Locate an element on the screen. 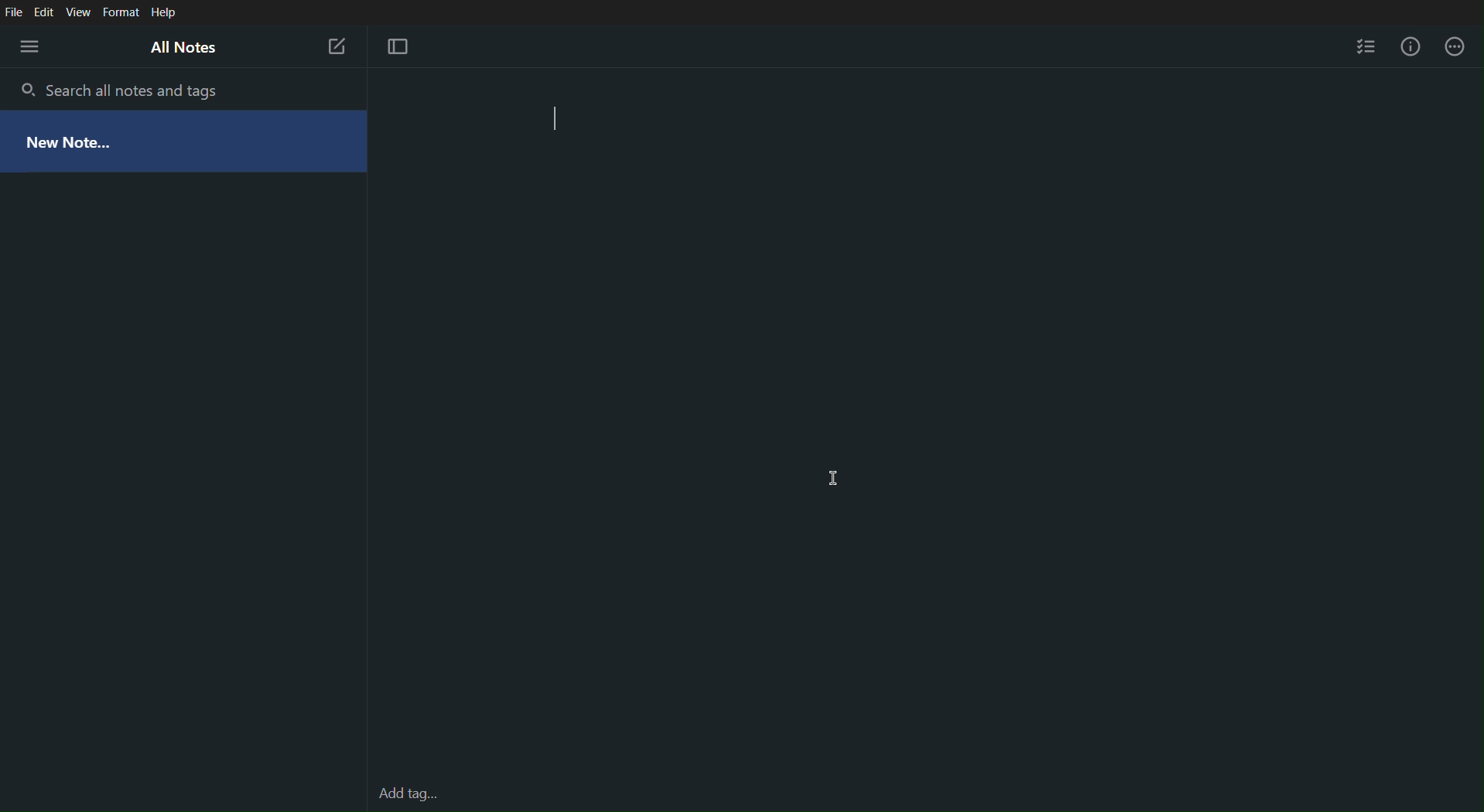 This screenshot has width=1484, height=812. File is located at coordinates (14, 12).